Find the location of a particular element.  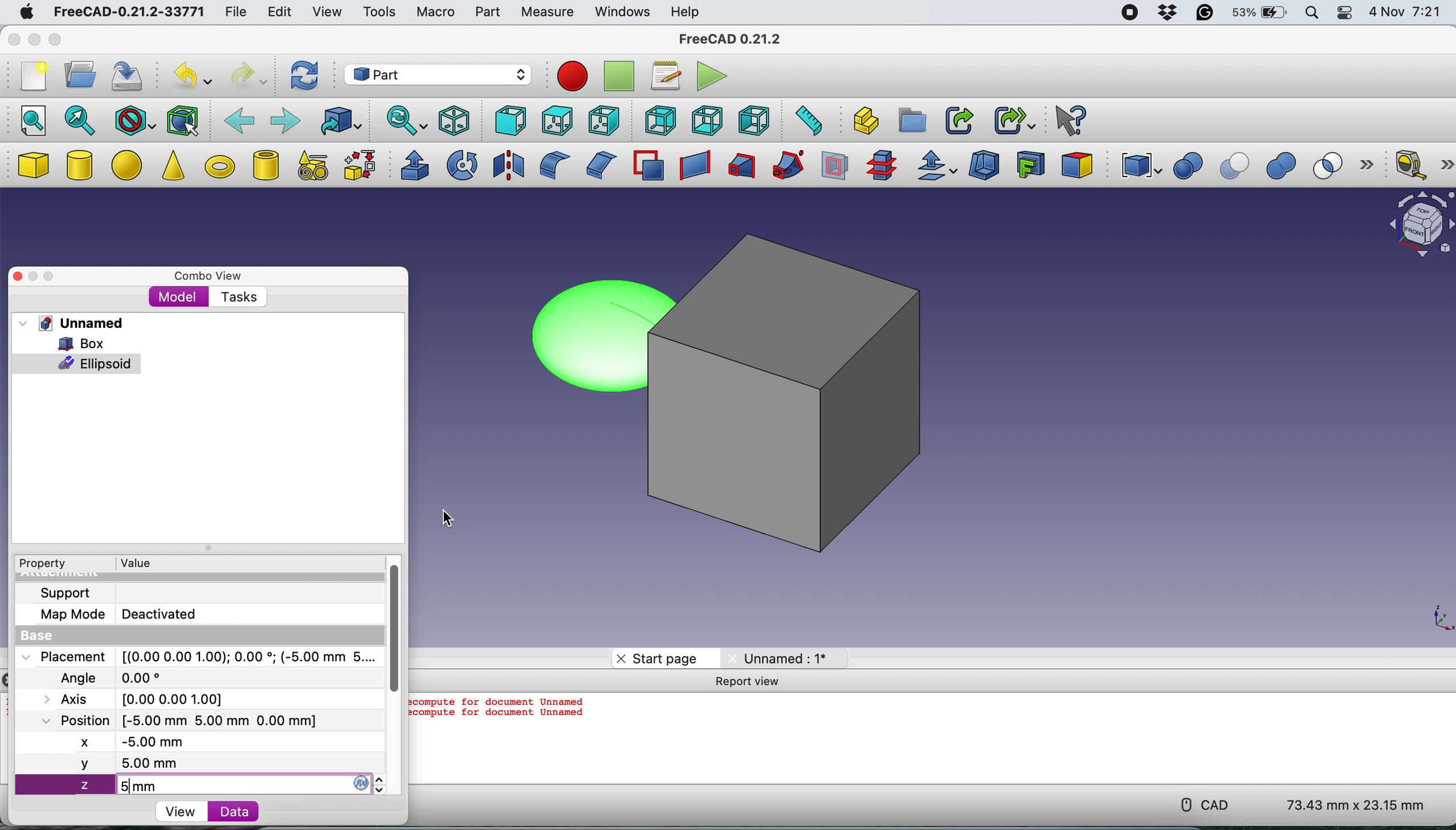

more options is located at coordinates (1447, 164).